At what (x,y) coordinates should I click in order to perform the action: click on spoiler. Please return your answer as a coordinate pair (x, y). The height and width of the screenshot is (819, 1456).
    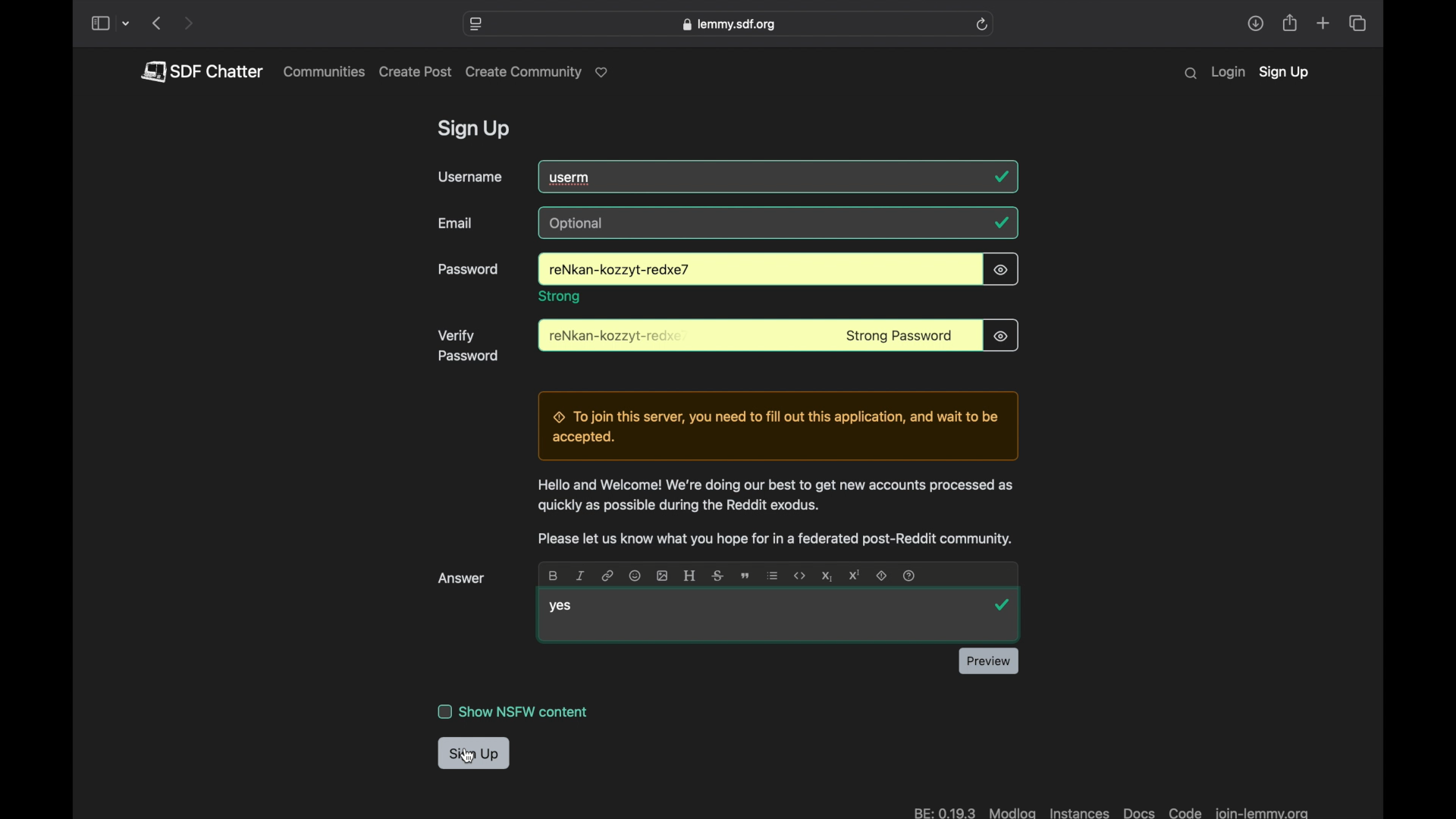
    Looking at the image, I should click on (883, 576).